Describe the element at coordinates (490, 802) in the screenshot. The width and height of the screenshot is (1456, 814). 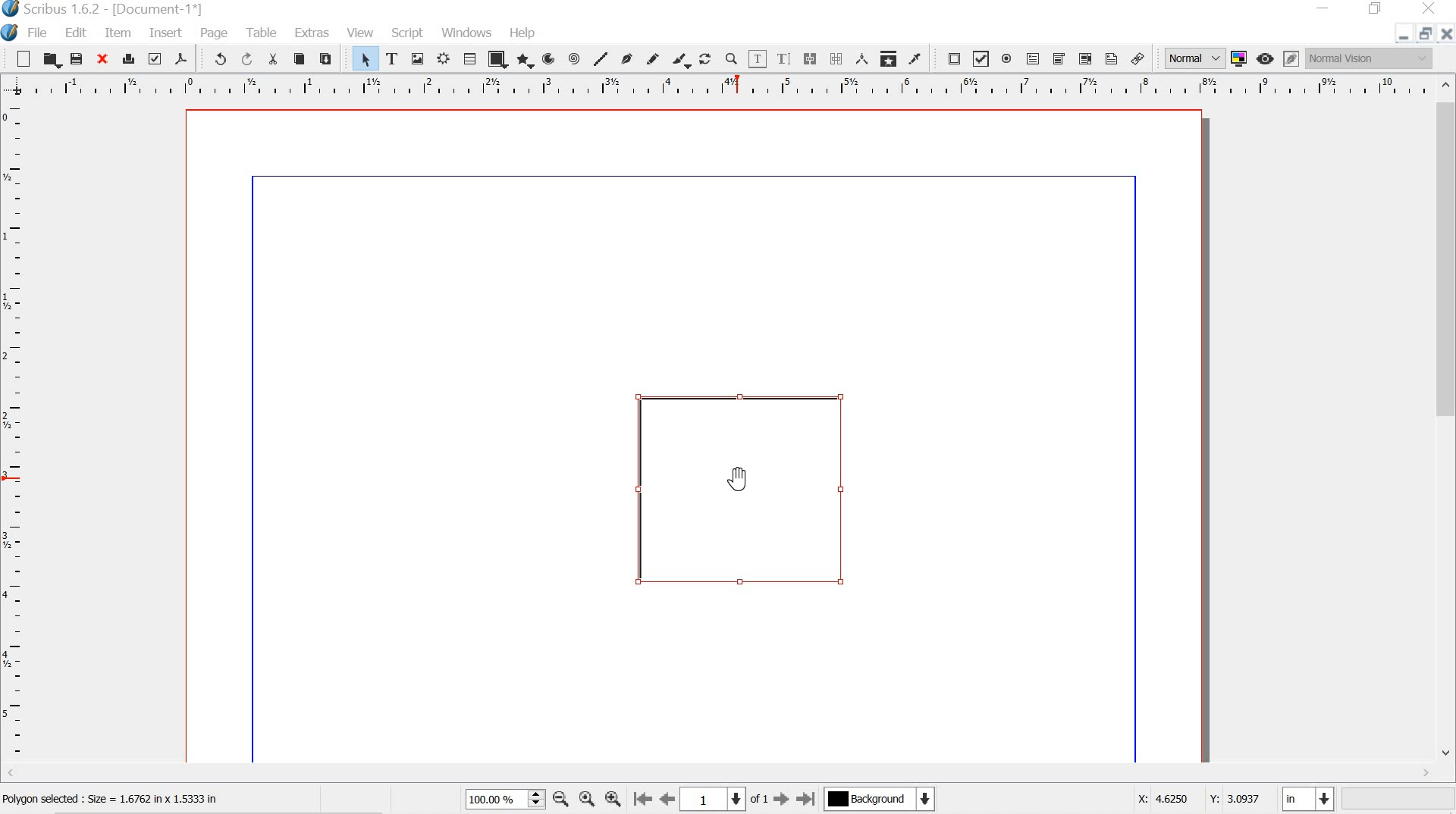
I see `100.00%` at that location.